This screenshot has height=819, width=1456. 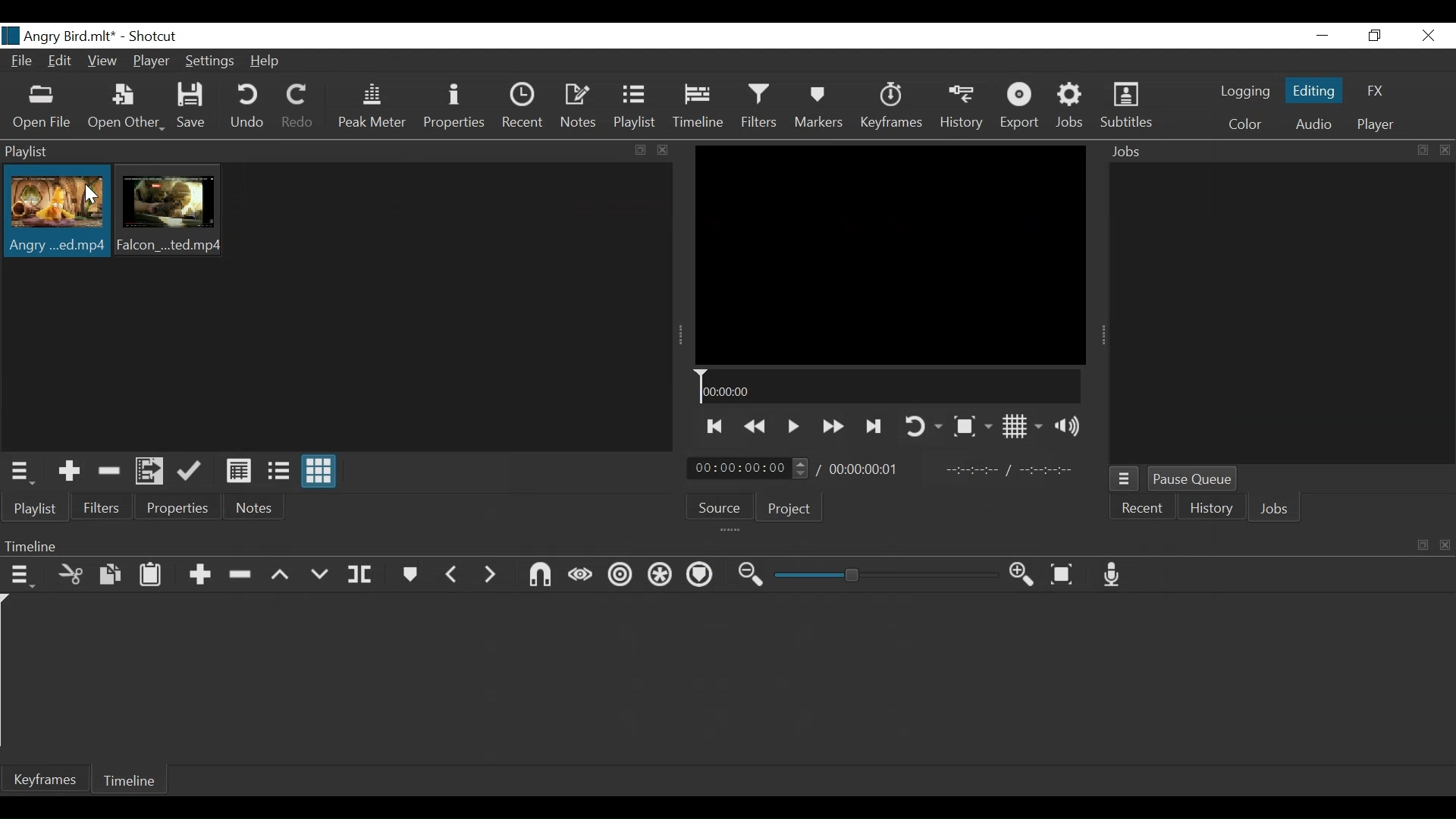 What do you see at coordinates (972, 427) in the screenshot?
I see `Toggle Zoom` at bounding box center [972, 427].